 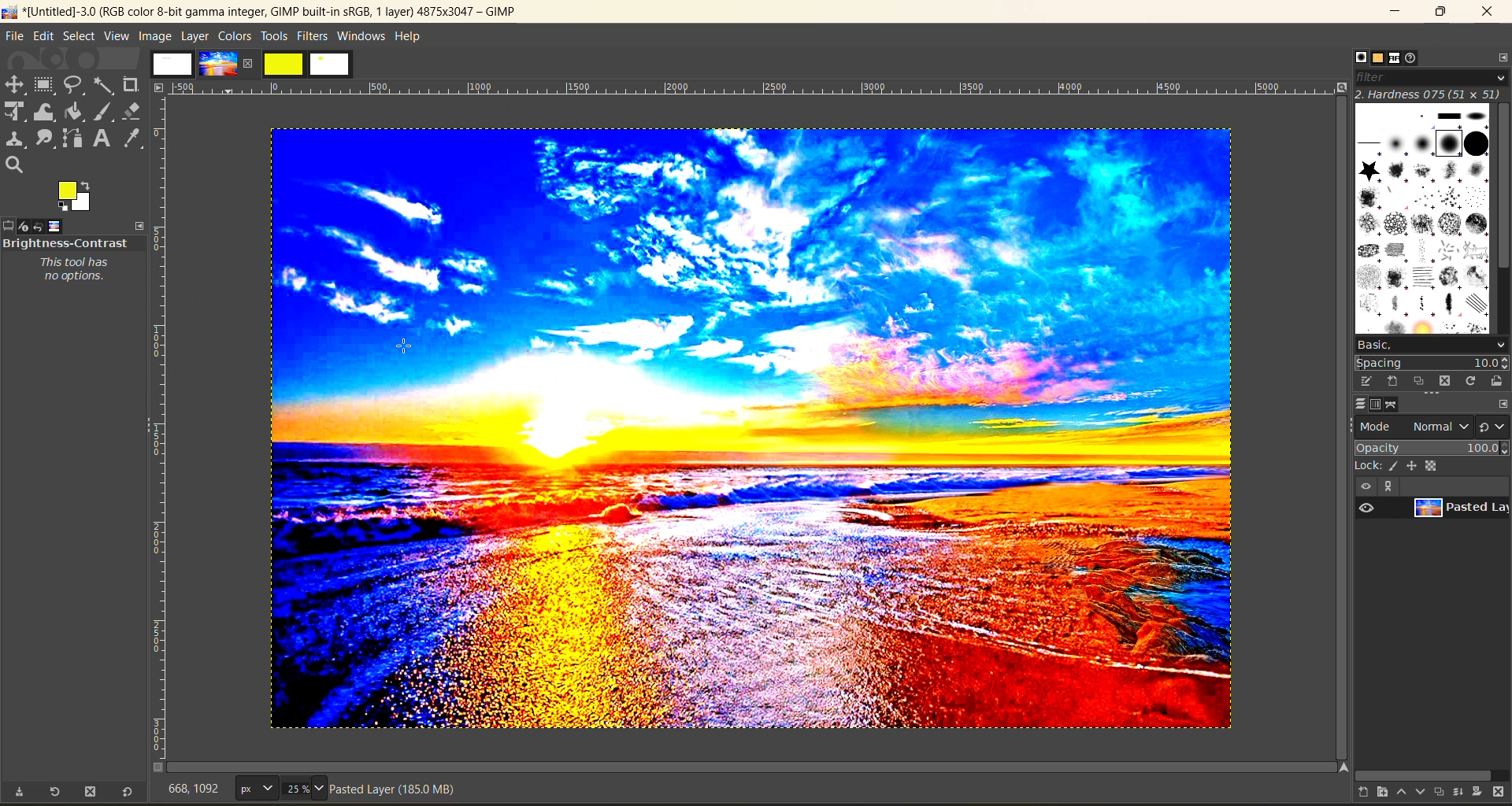 What do you see at coordinates (1421, 382) in the screenshot?
I see `duplicate brush` at bounding box center [1421, 382].